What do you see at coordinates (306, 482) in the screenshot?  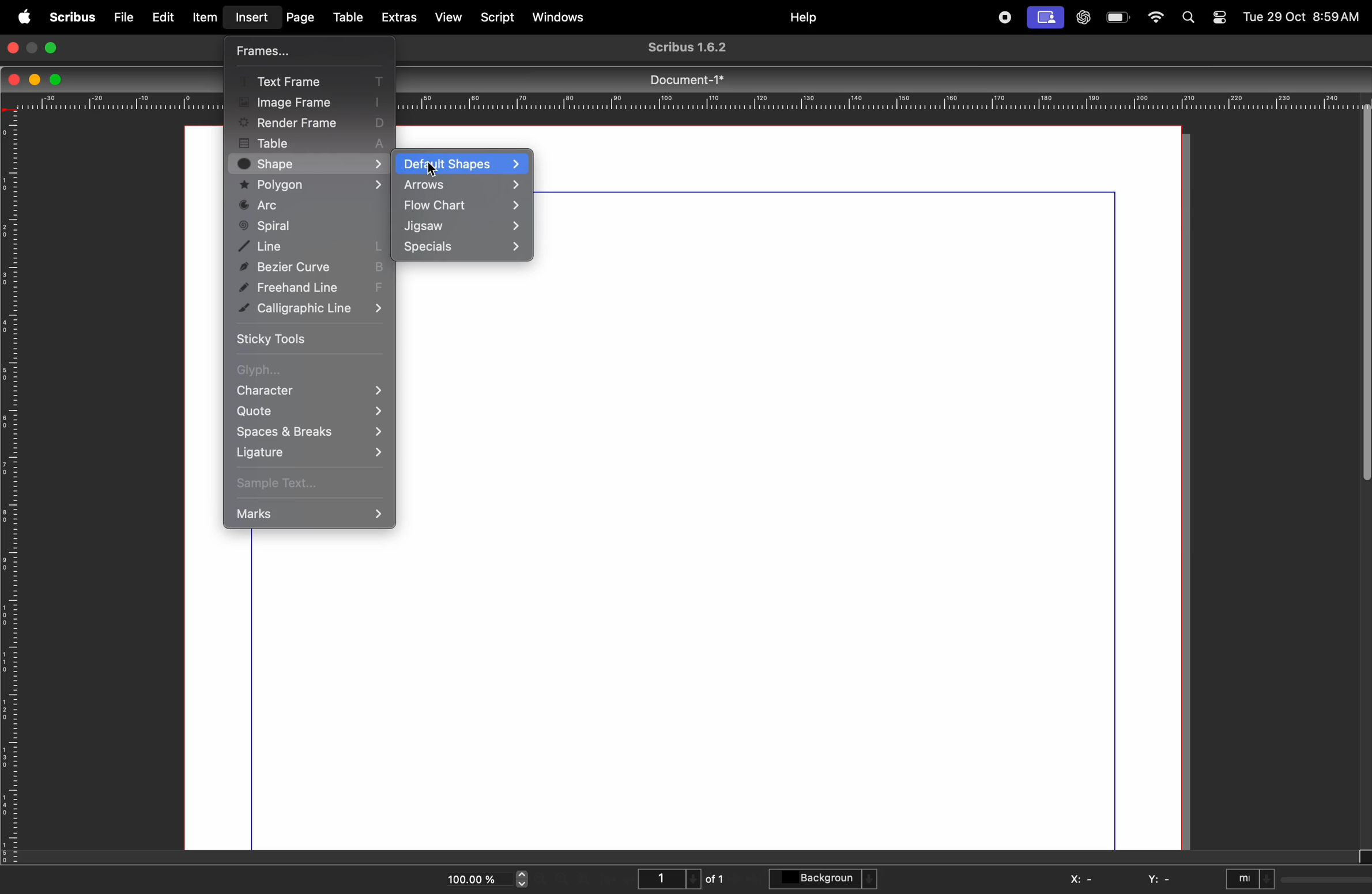 I see `sample text` at bounding box center [306, 482].